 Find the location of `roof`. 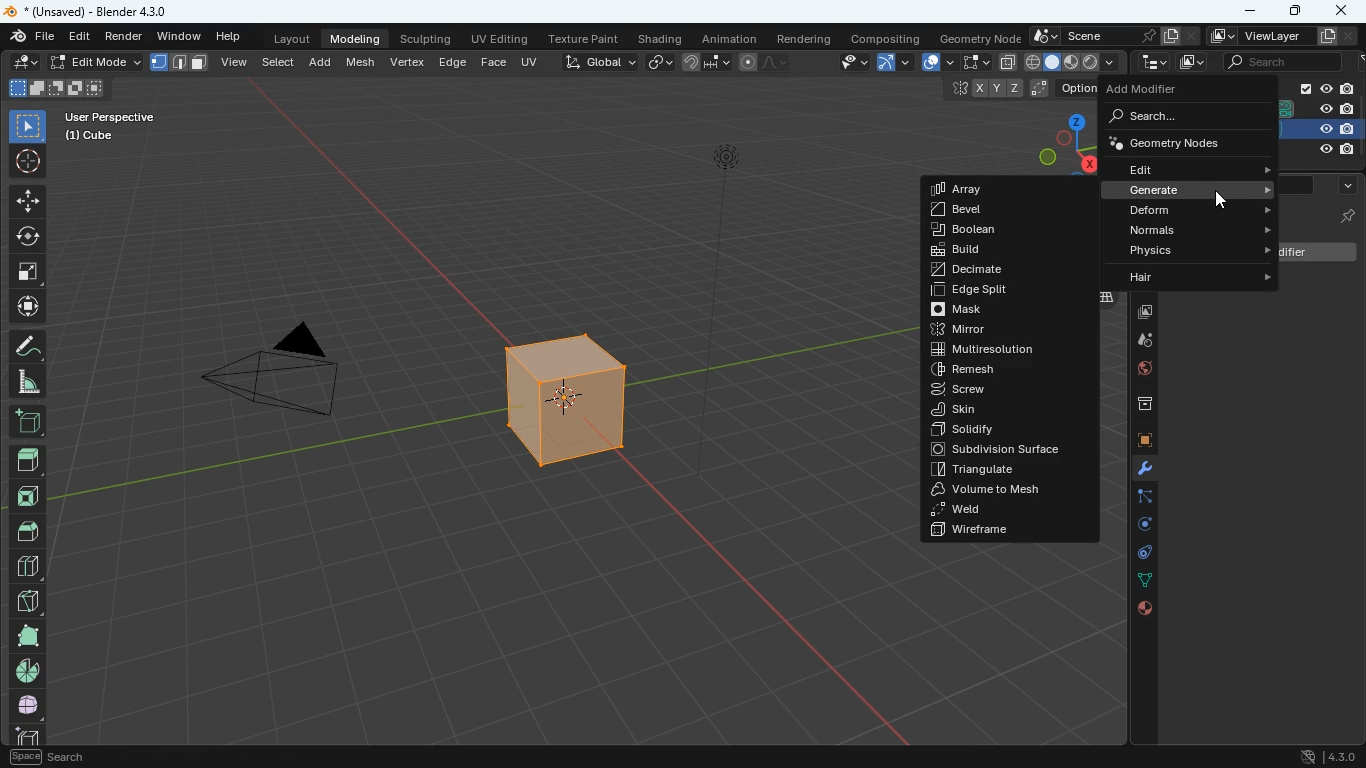

roof is located at coordinates (27, 533).